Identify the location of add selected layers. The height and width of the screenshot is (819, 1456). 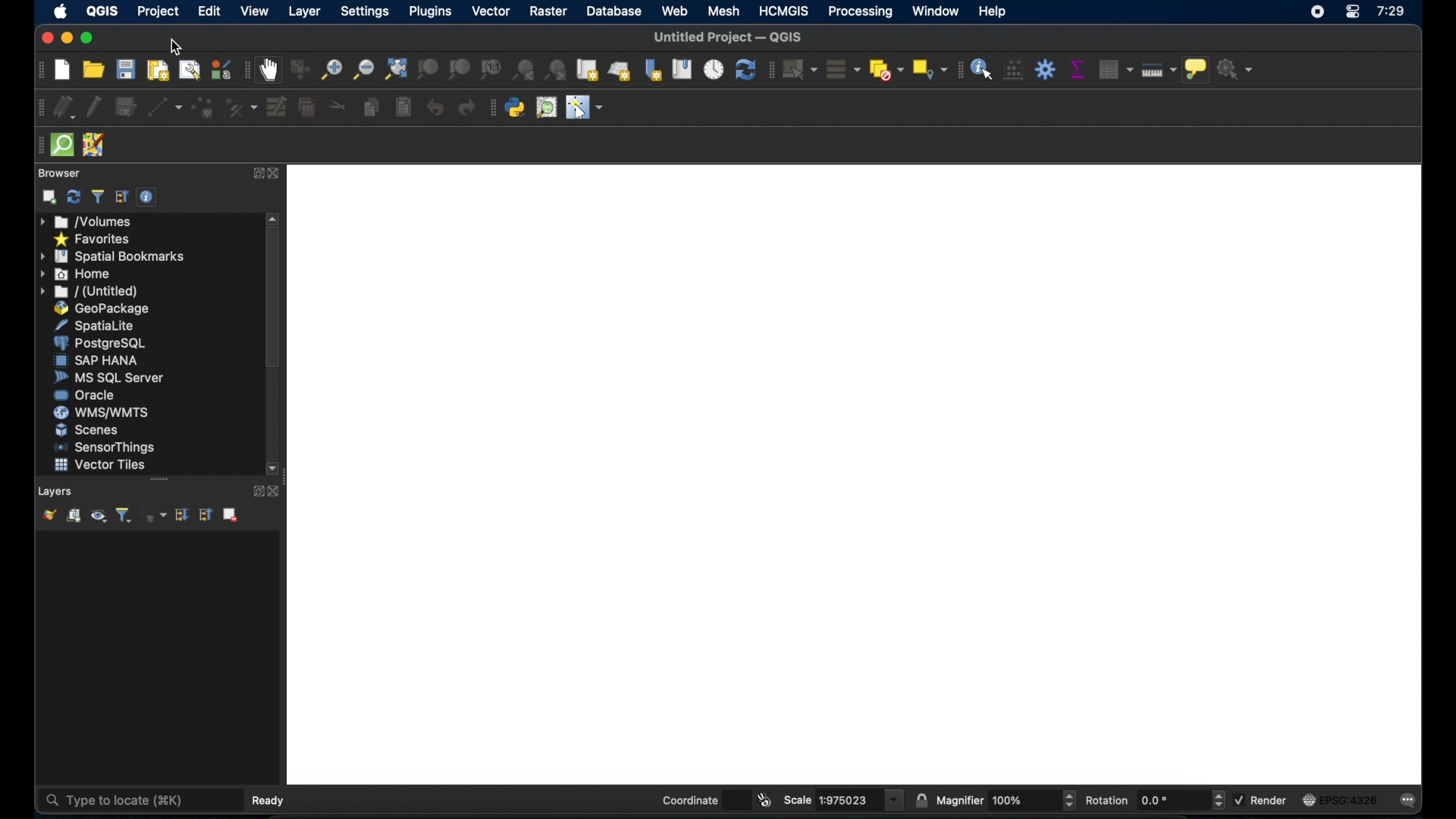
(49, 197).